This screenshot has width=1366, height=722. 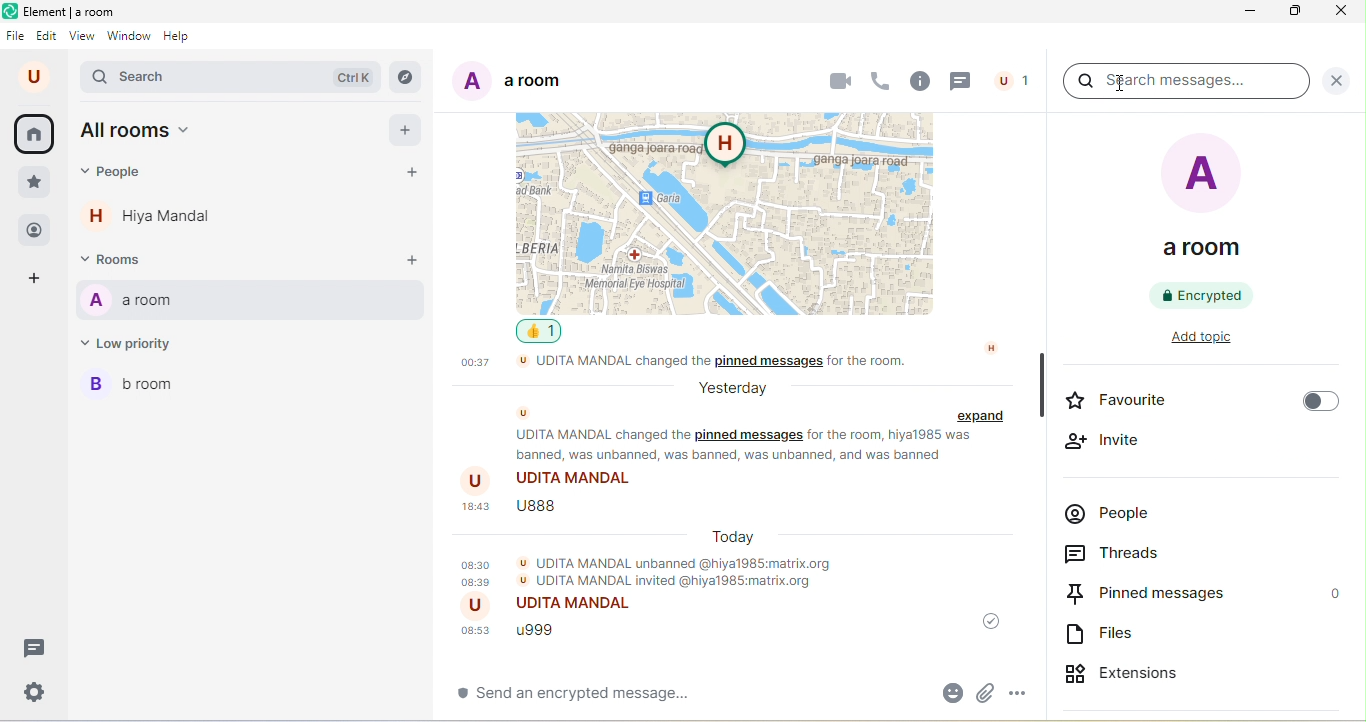 I want to click on threads, so click(x=962, y=81).